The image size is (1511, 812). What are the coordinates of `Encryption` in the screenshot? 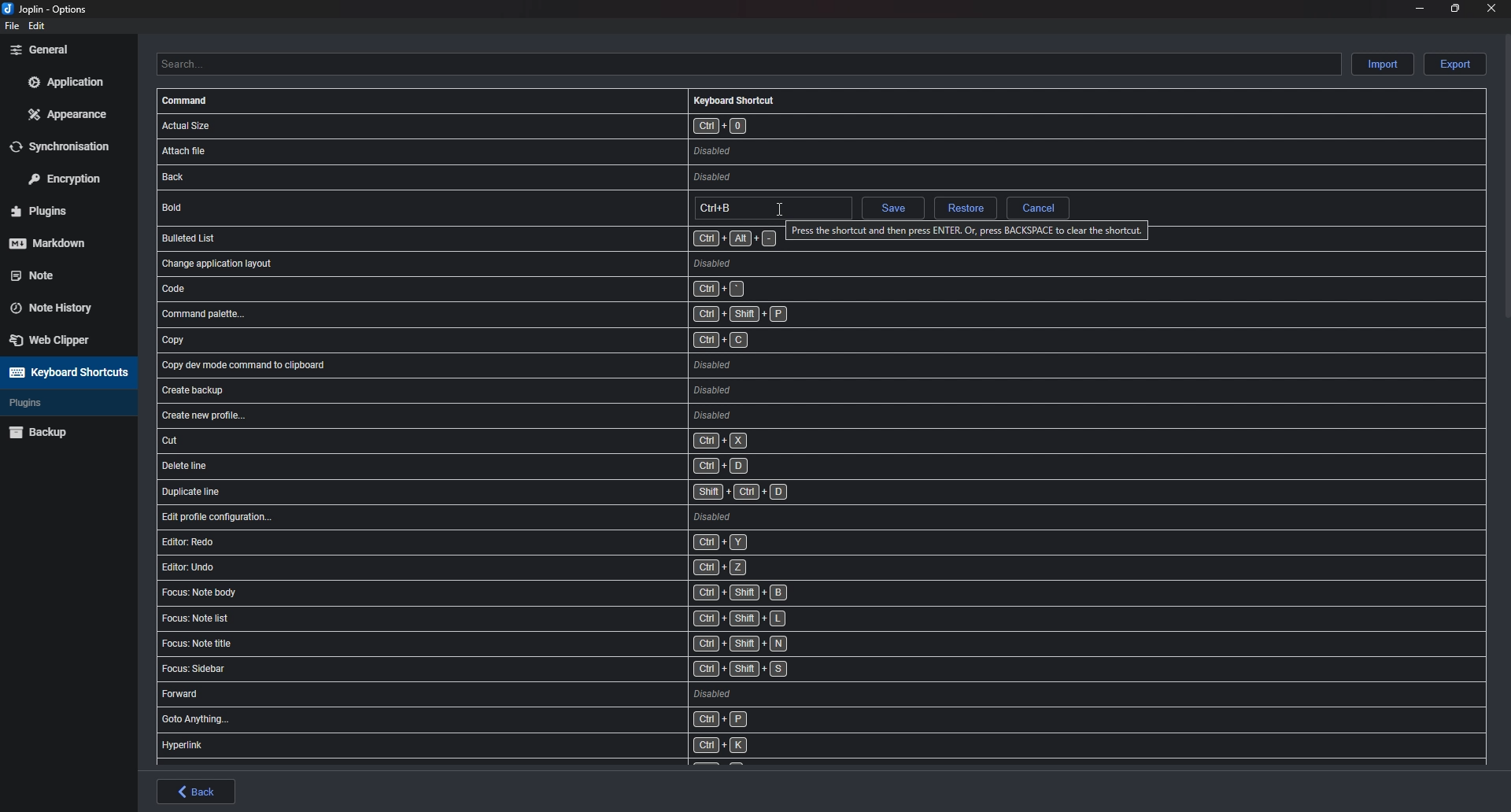 It's located at (70, 177).